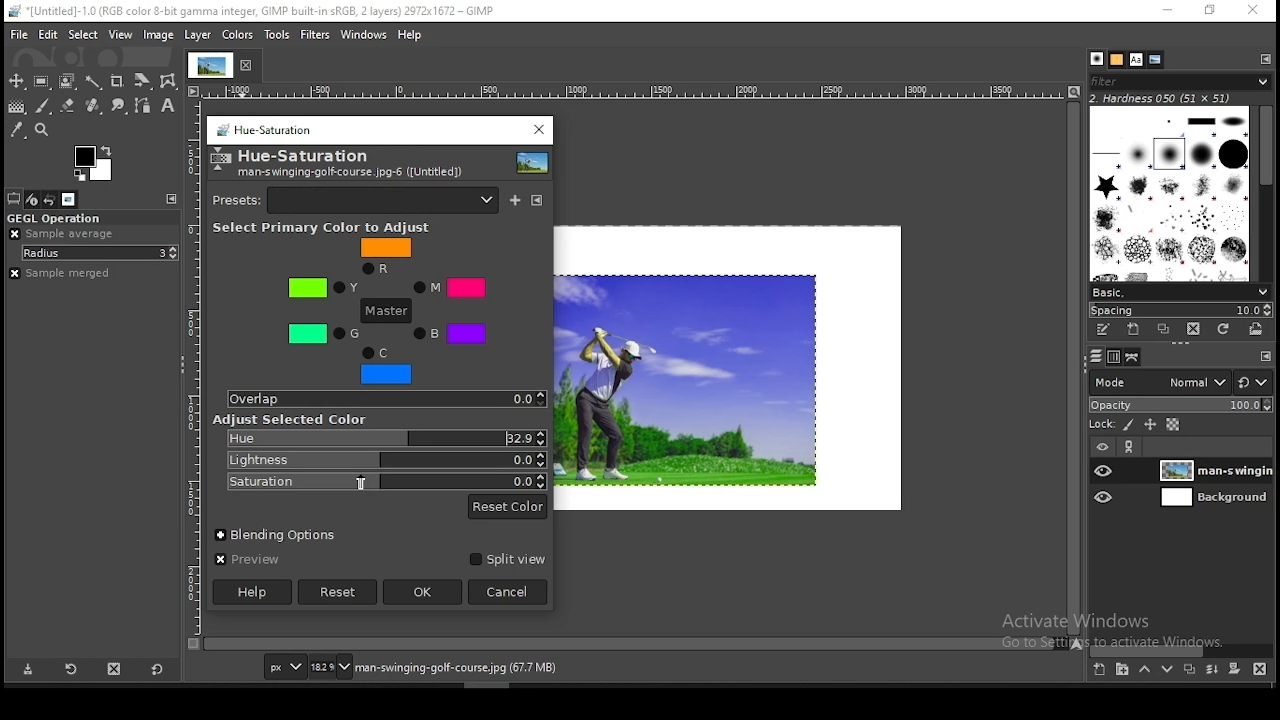  I want to click on horizontal scale, so click(195, 369).